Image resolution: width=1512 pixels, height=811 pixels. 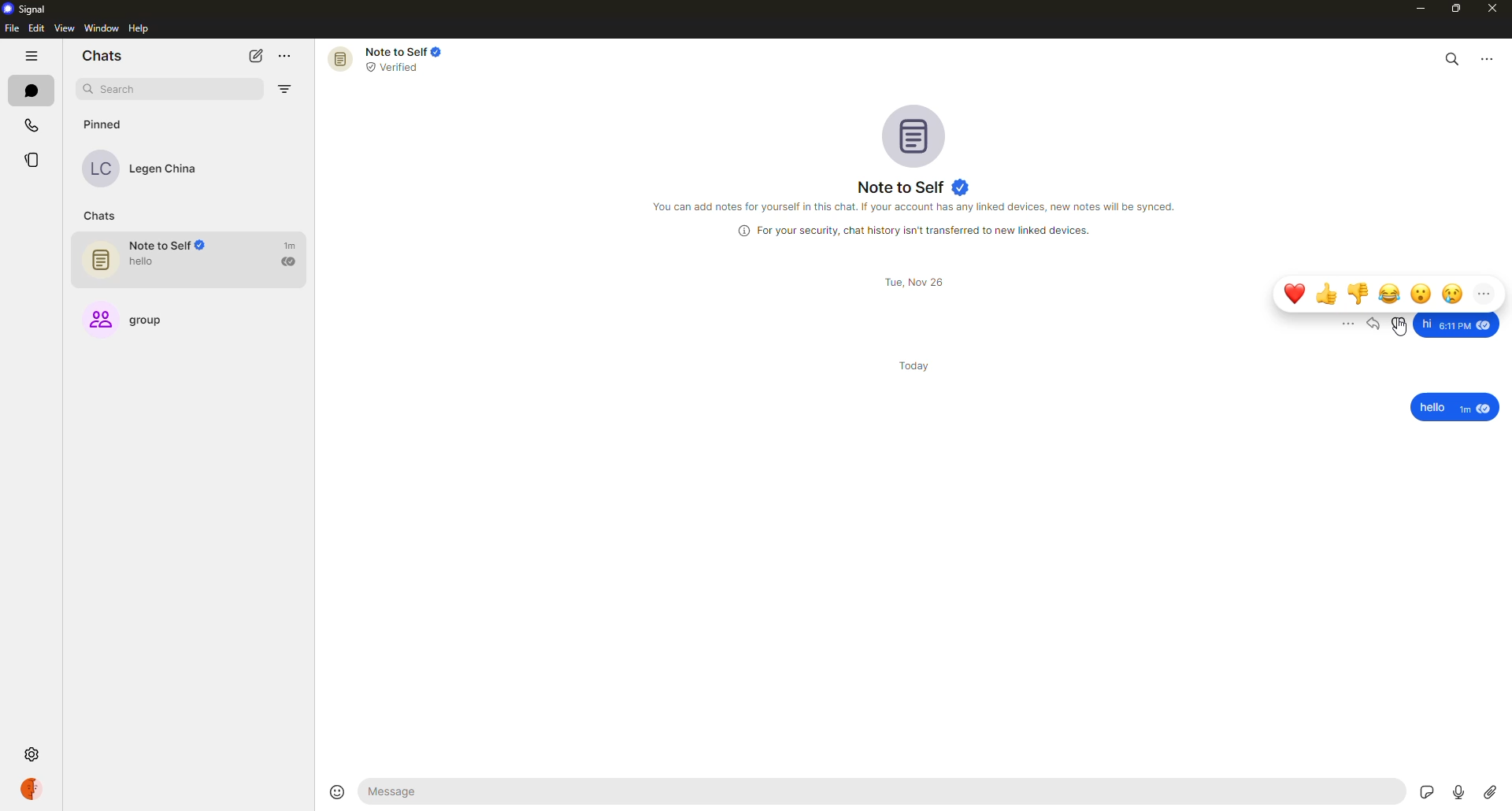 What do you see at coordinates (918, 135) in the screenshot?
I see `profile pic` at bounding box center [918, 135].